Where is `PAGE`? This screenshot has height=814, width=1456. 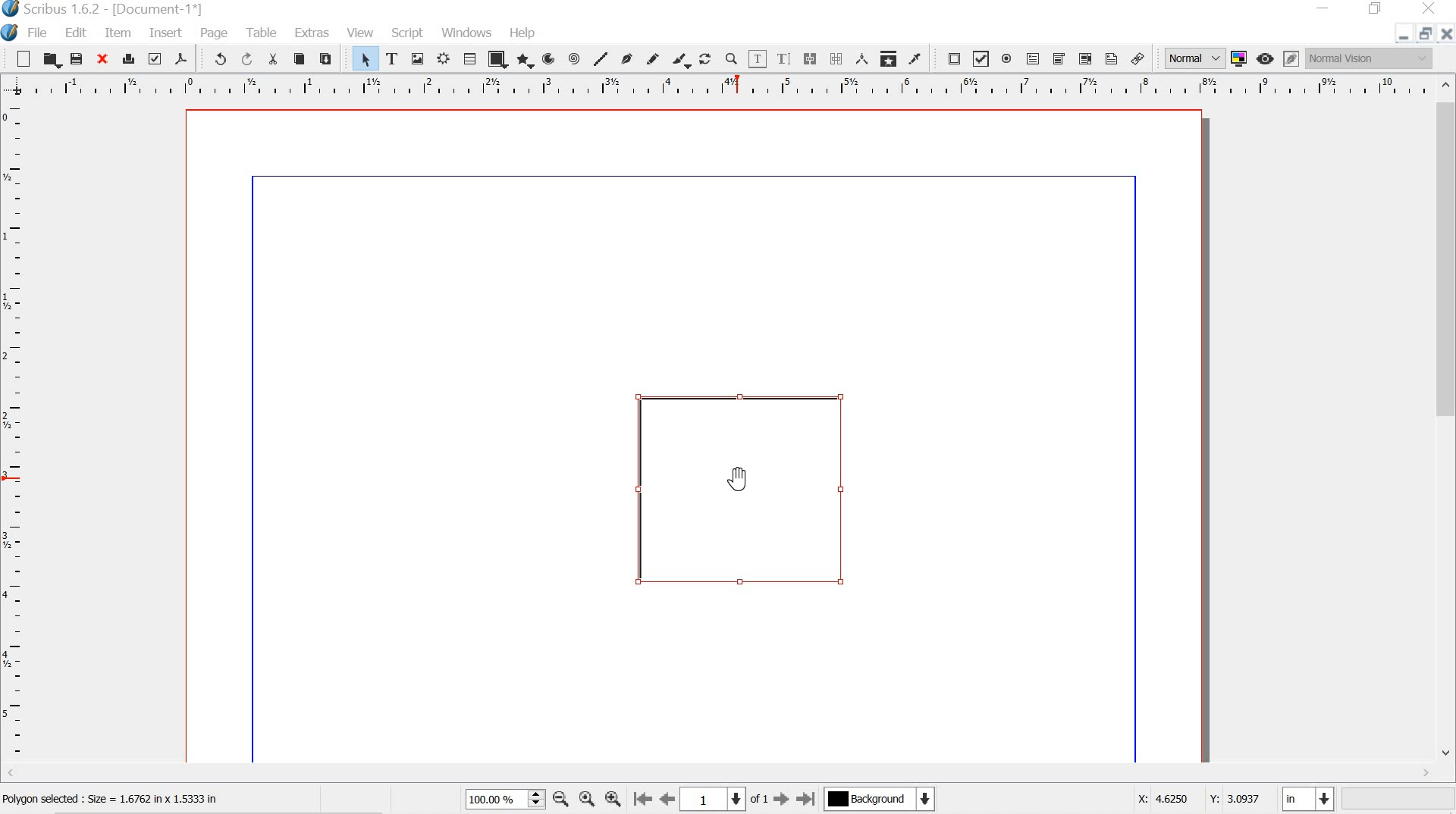
PAGE is located at coordinates (215, 33).